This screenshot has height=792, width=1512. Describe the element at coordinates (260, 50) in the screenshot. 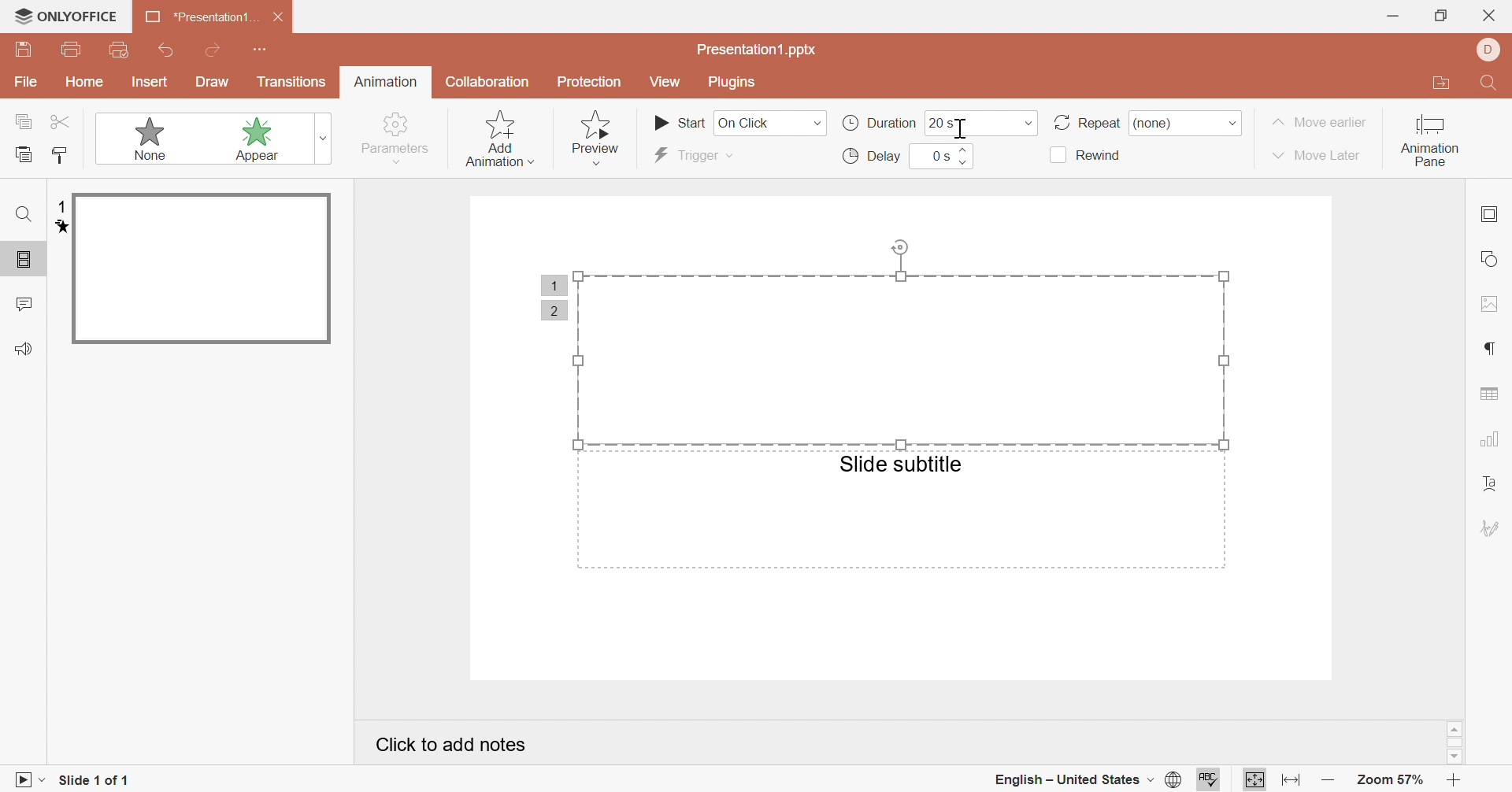

I see `customize quick access toolbar` at that location.